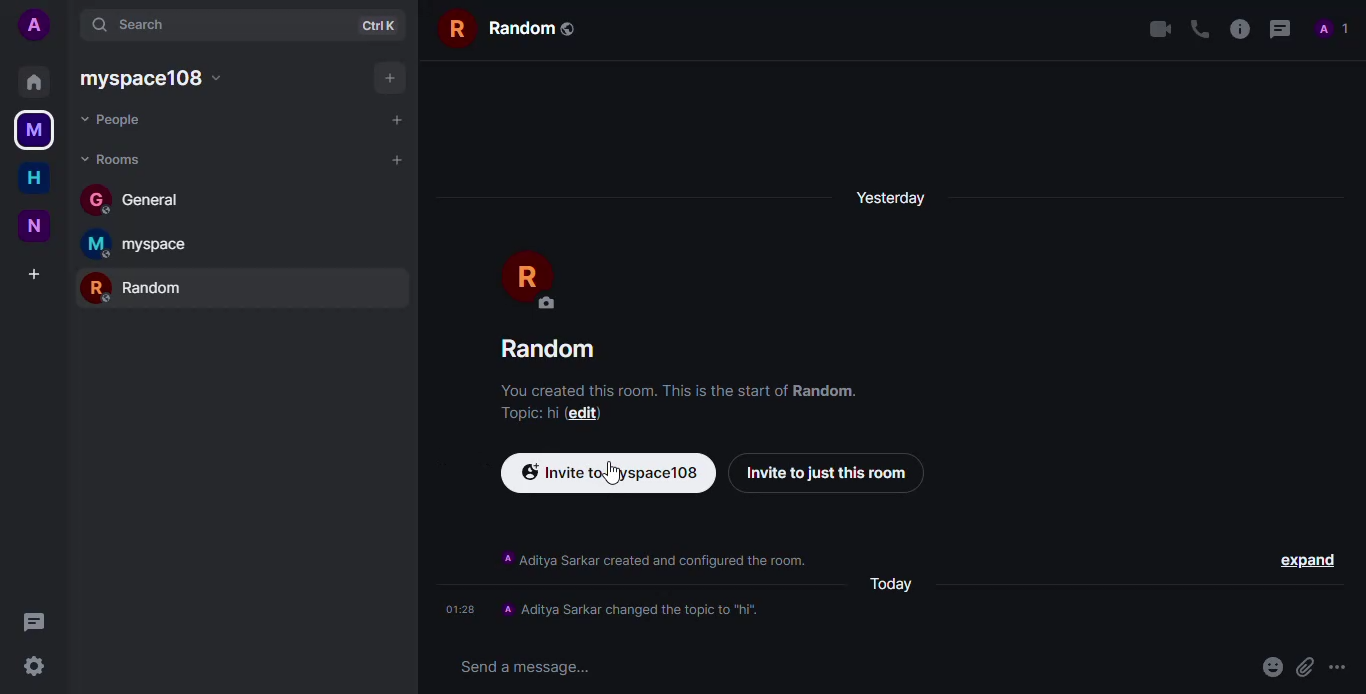  What do you see at coordinates (828, 474) in the screenshot?
I see `invite to just this room` at bounding box center [828, 474].